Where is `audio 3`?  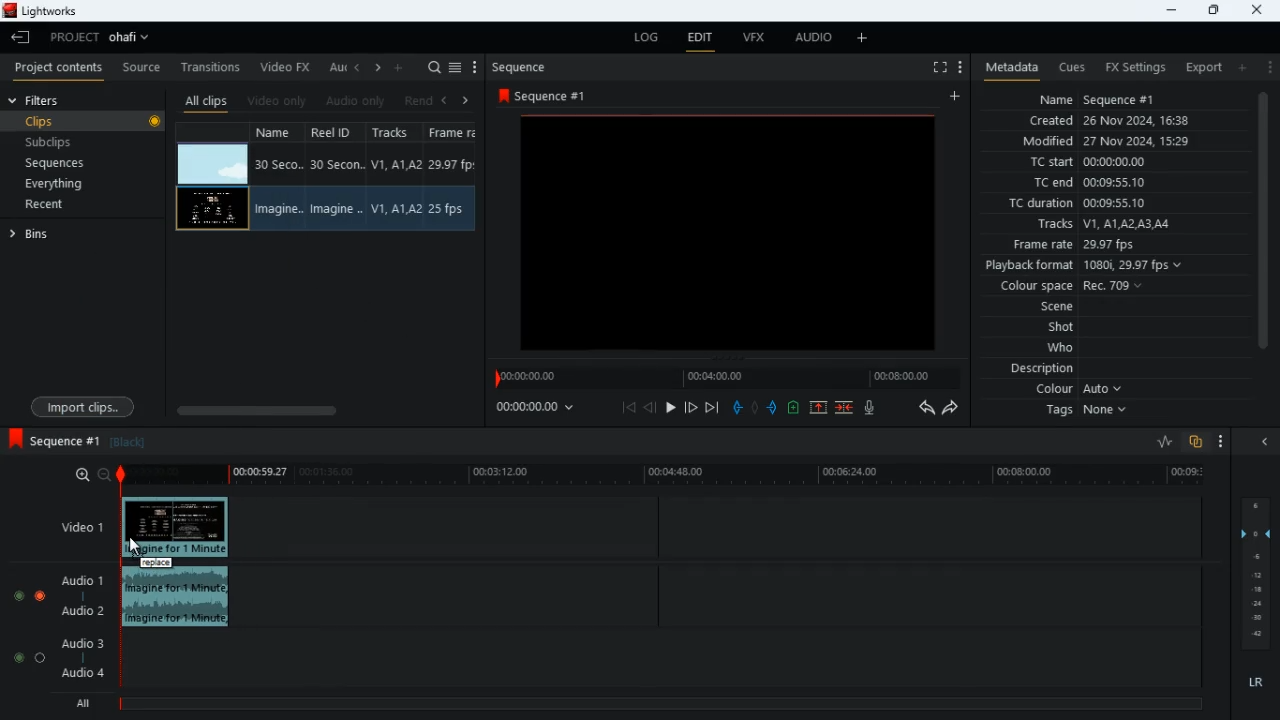 audio 3 is located at coordinates (78, 642).